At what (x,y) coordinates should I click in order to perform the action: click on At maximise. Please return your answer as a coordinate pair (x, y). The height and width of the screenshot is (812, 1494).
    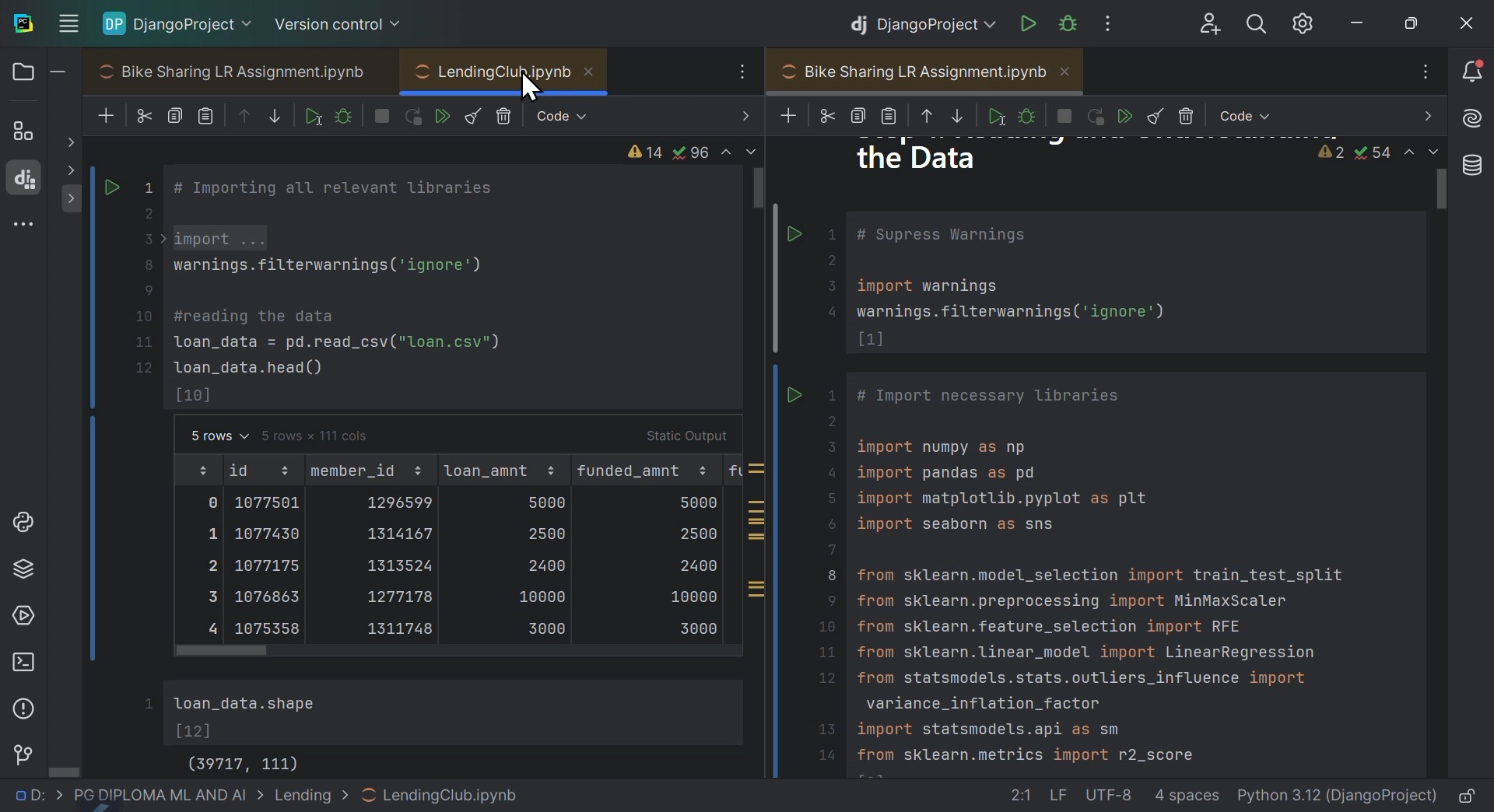
    Looking at the image, I should click on (1412, 22).